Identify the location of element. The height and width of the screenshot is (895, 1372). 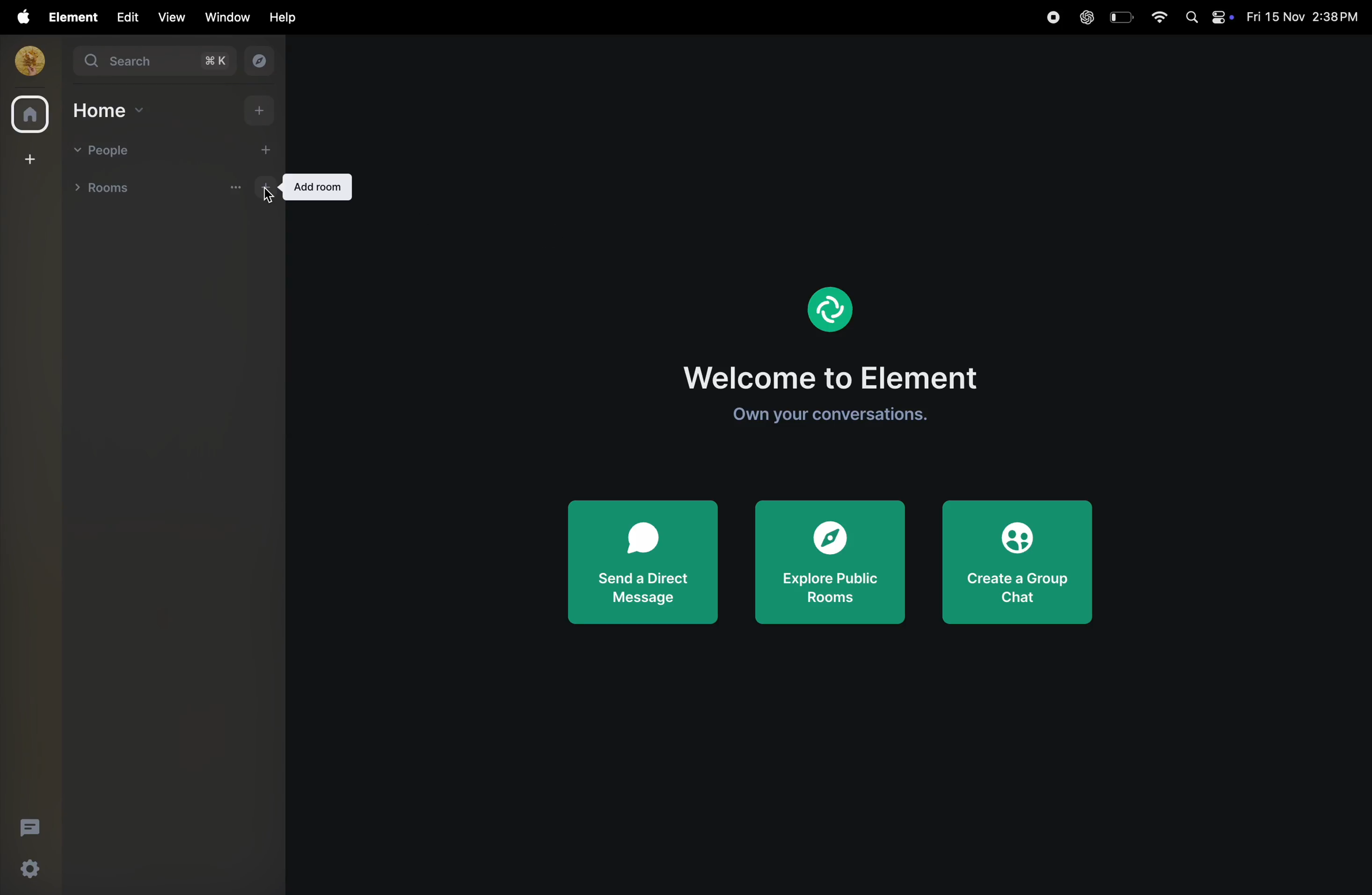
(833, 306).